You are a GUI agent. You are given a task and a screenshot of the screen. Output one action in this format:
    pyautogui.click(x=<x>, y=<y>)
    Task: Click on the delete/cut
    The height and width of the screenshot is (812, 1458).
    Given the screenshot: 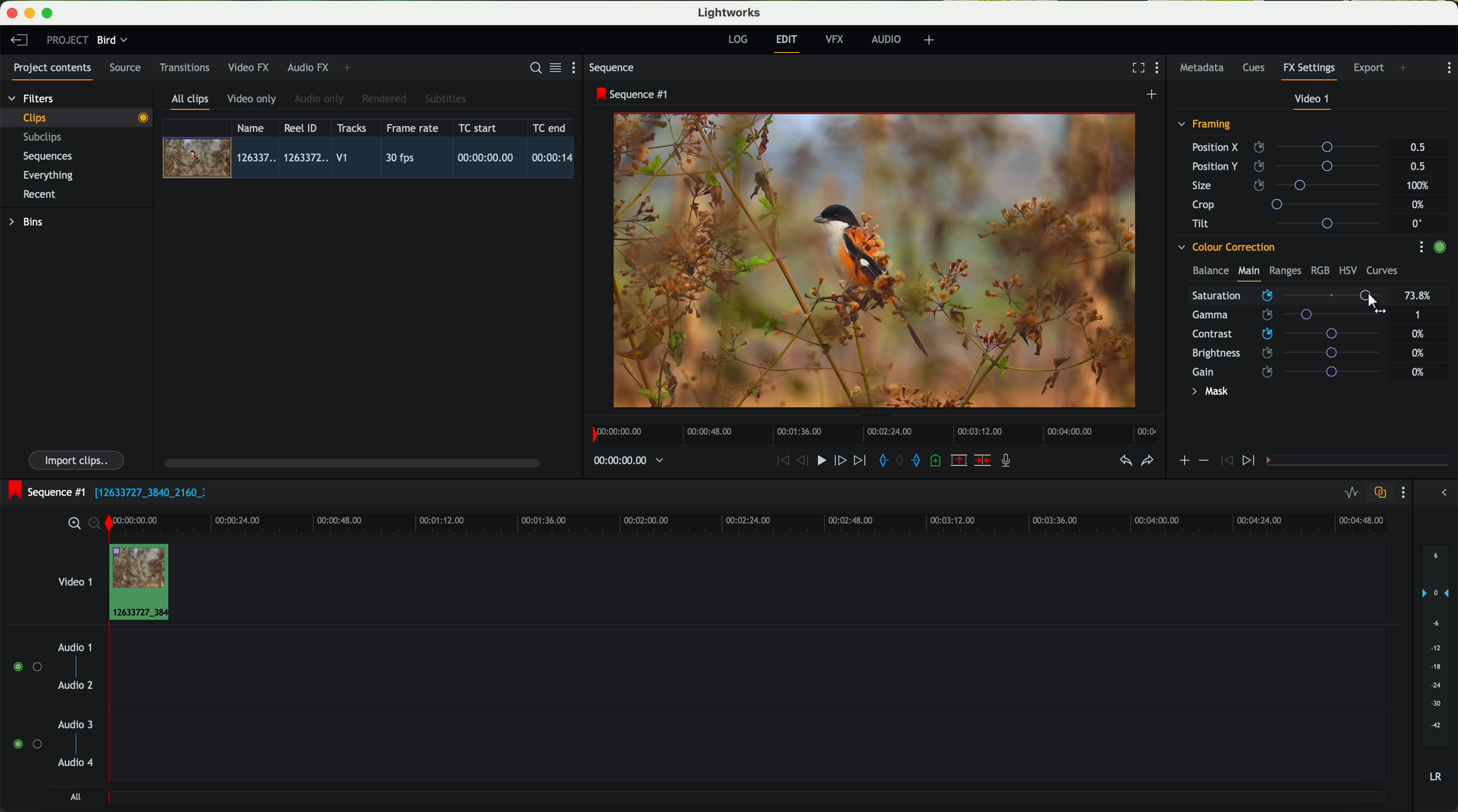 What is the action you would take?
    pyautogui.click(x=983, y=461)
    